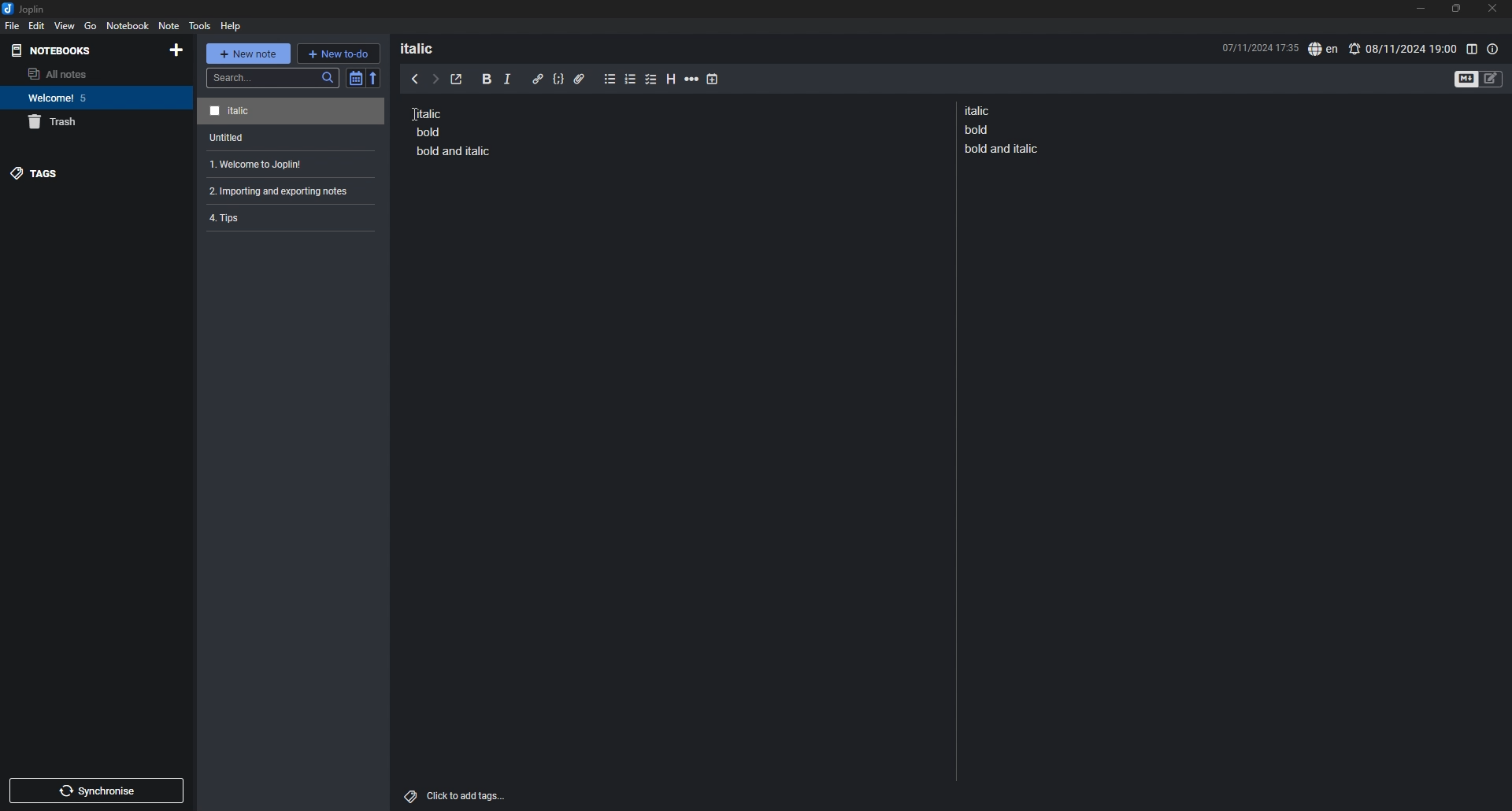 The image size is (1512, 811). What do you see at coordinates (24, 9) in the screenshot?
I see `joplin` at bounding box center [24, 9].